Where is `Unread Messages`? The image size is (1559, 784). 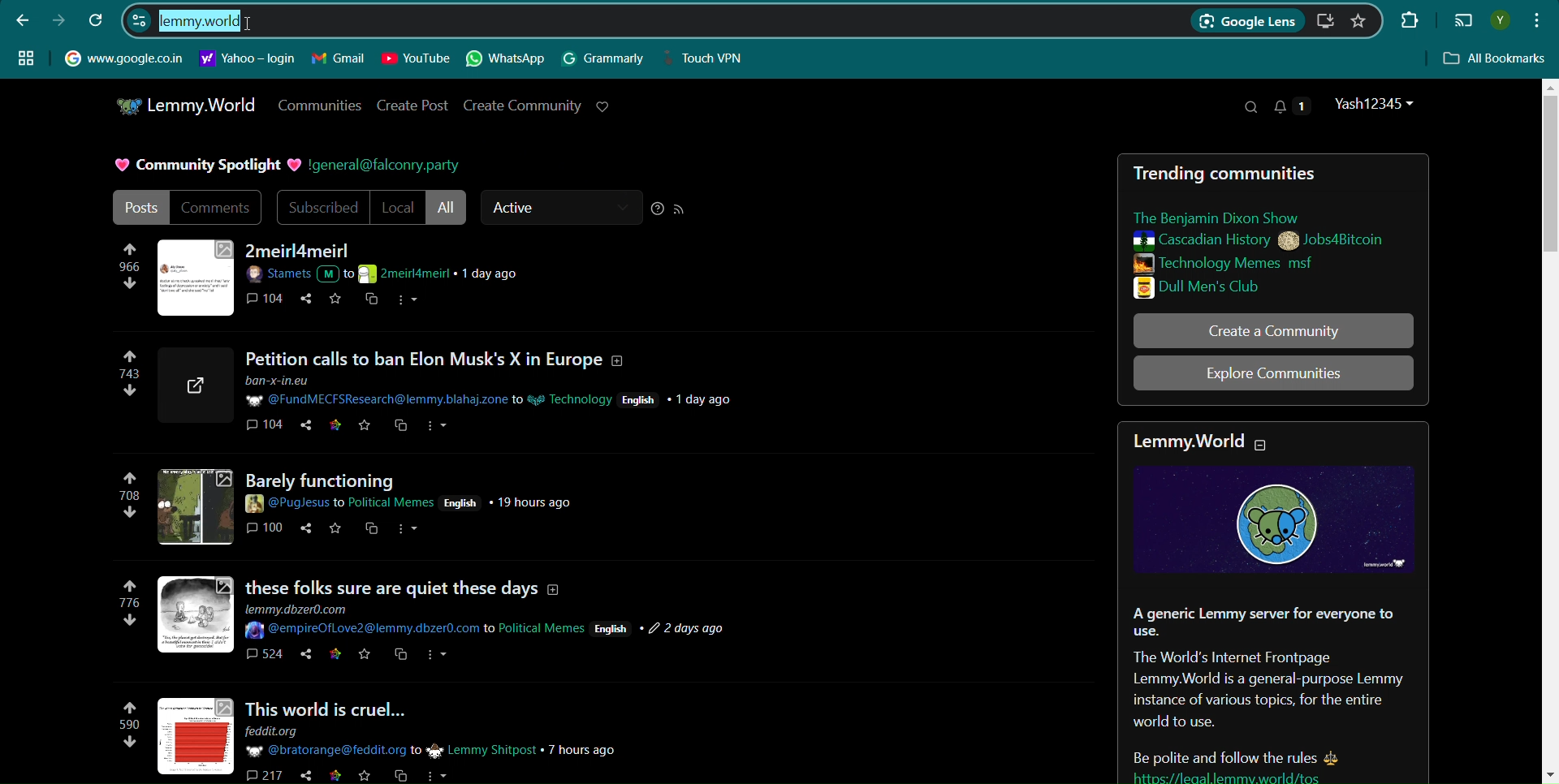 Unread Messages is located at coordinates (1293, 106).